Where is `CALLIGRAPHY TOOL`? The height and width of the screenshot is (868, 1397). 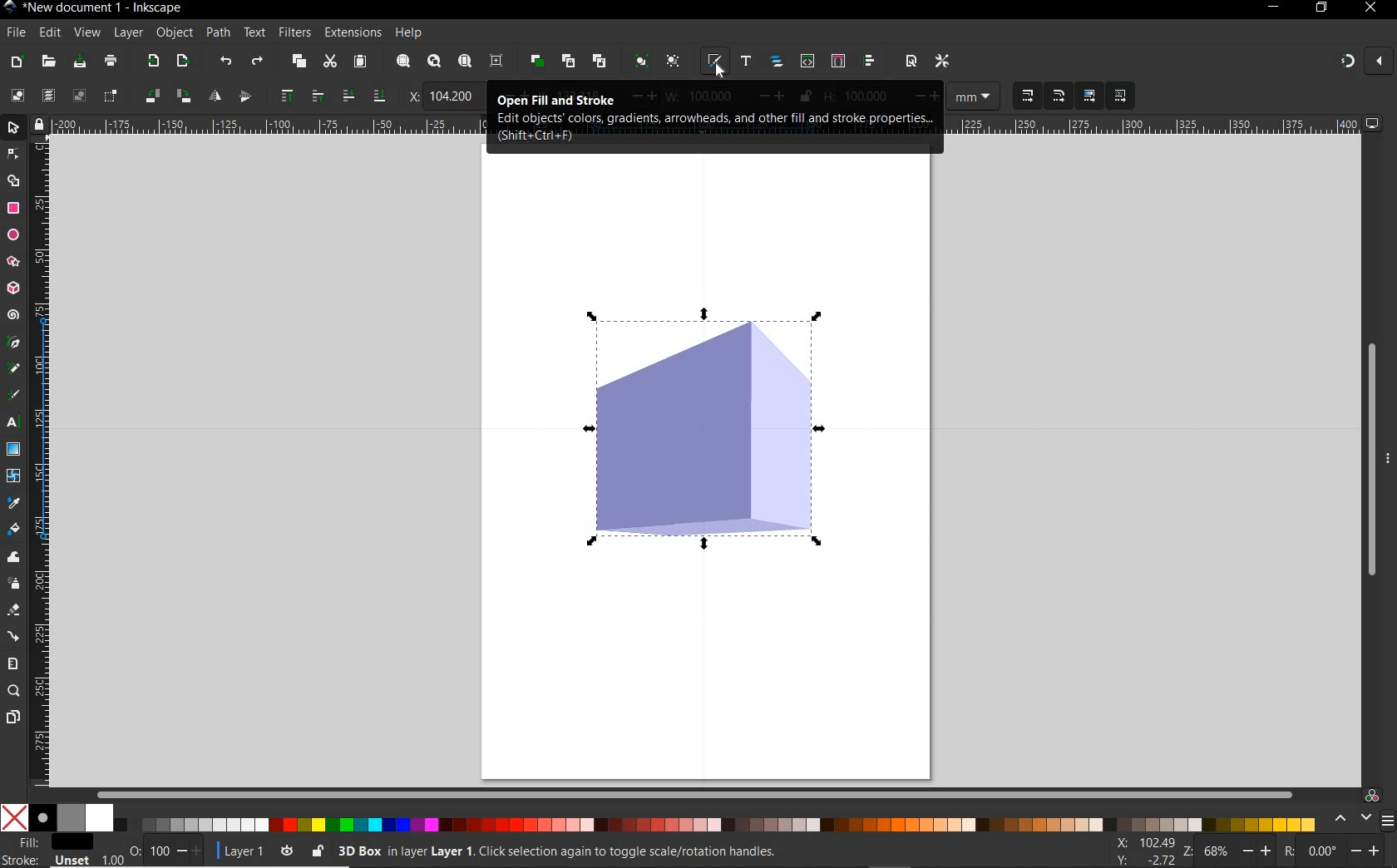 CALLIGRAPHY TOOL is located at coordinates (13, 396).